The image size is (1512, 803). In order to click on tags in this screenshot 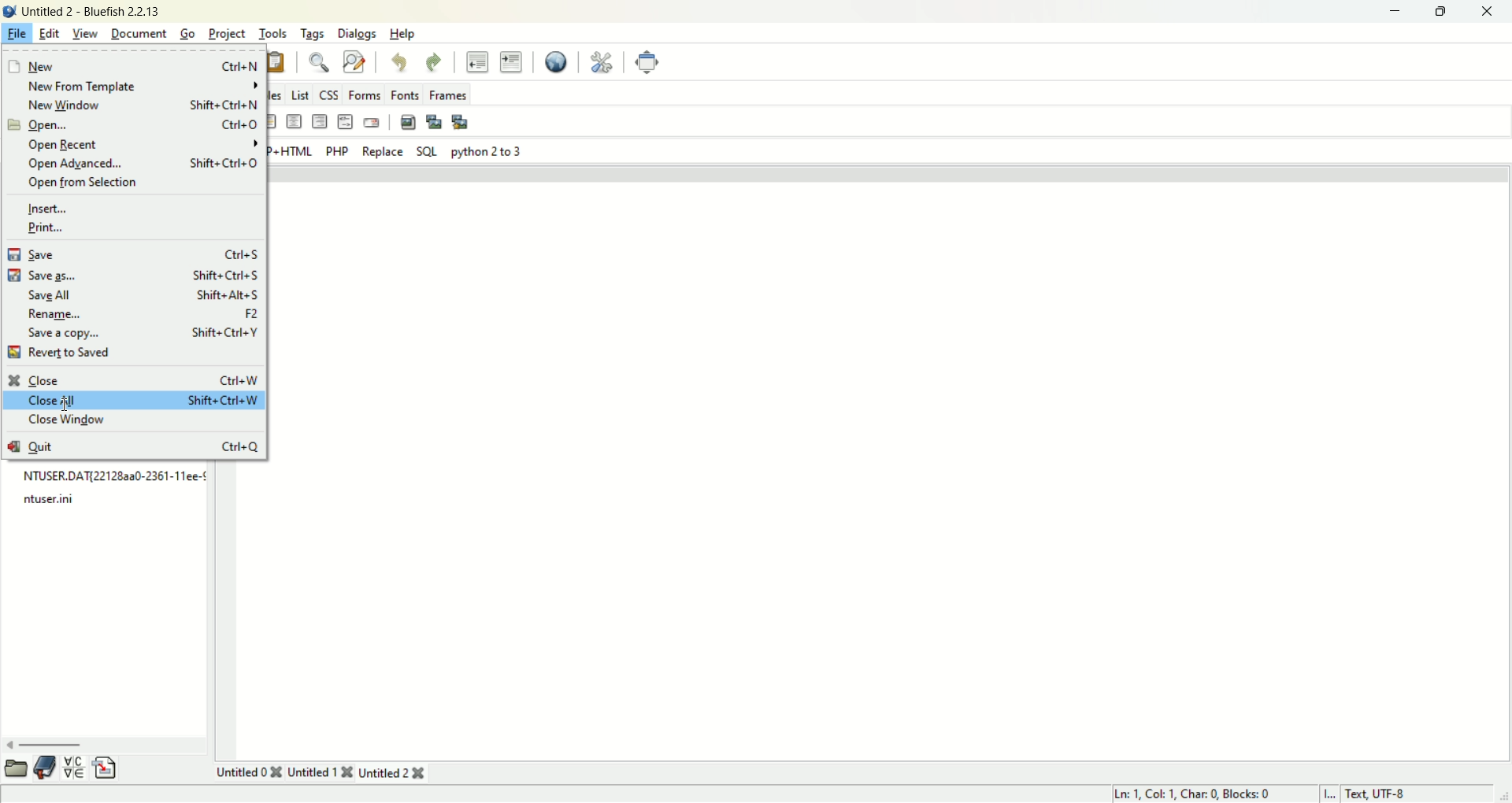, I will do `click(313, 34)`.